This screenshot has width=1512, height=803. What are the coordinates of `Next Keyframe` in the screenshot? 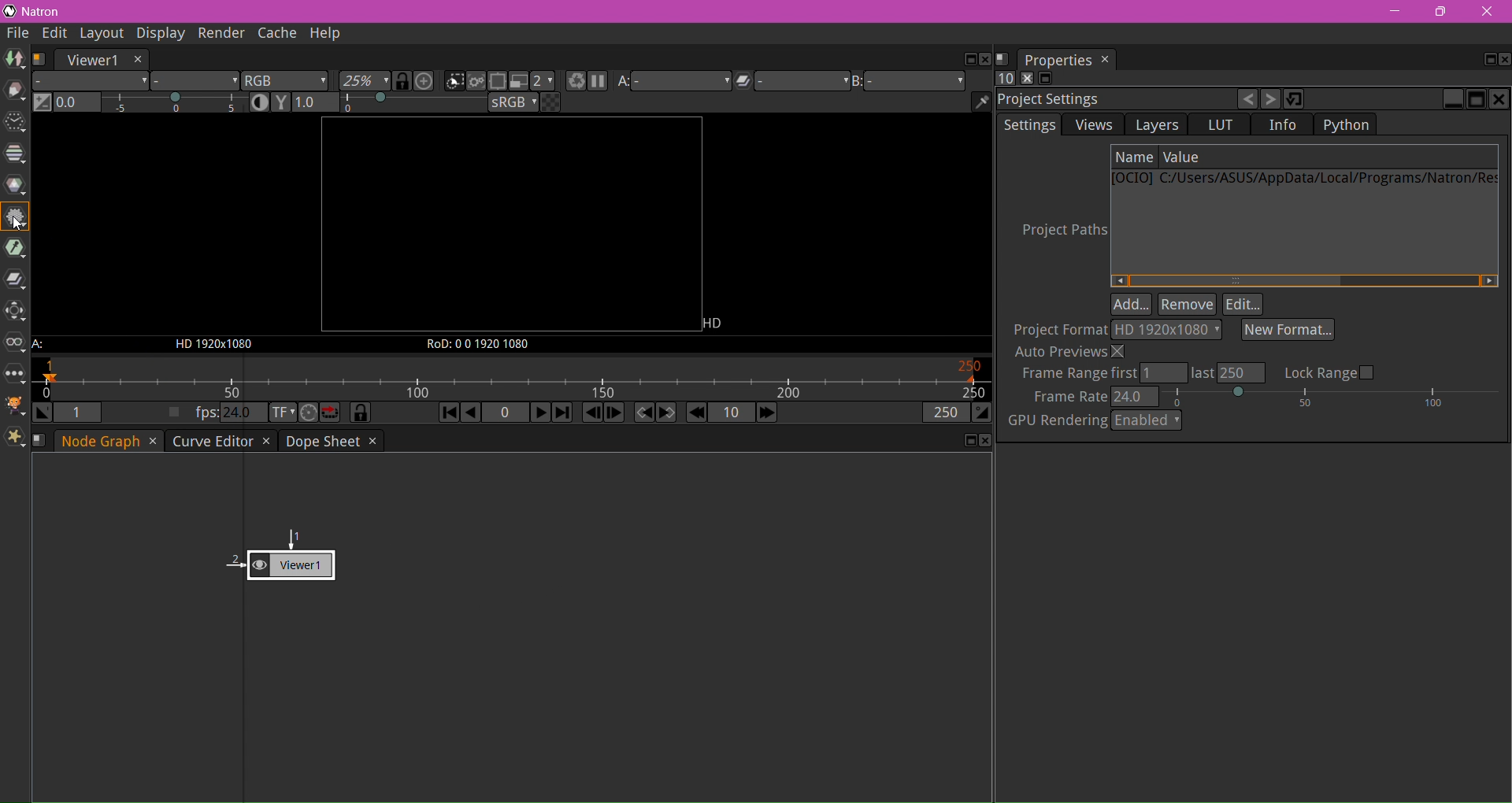 It's located at (667, 413).